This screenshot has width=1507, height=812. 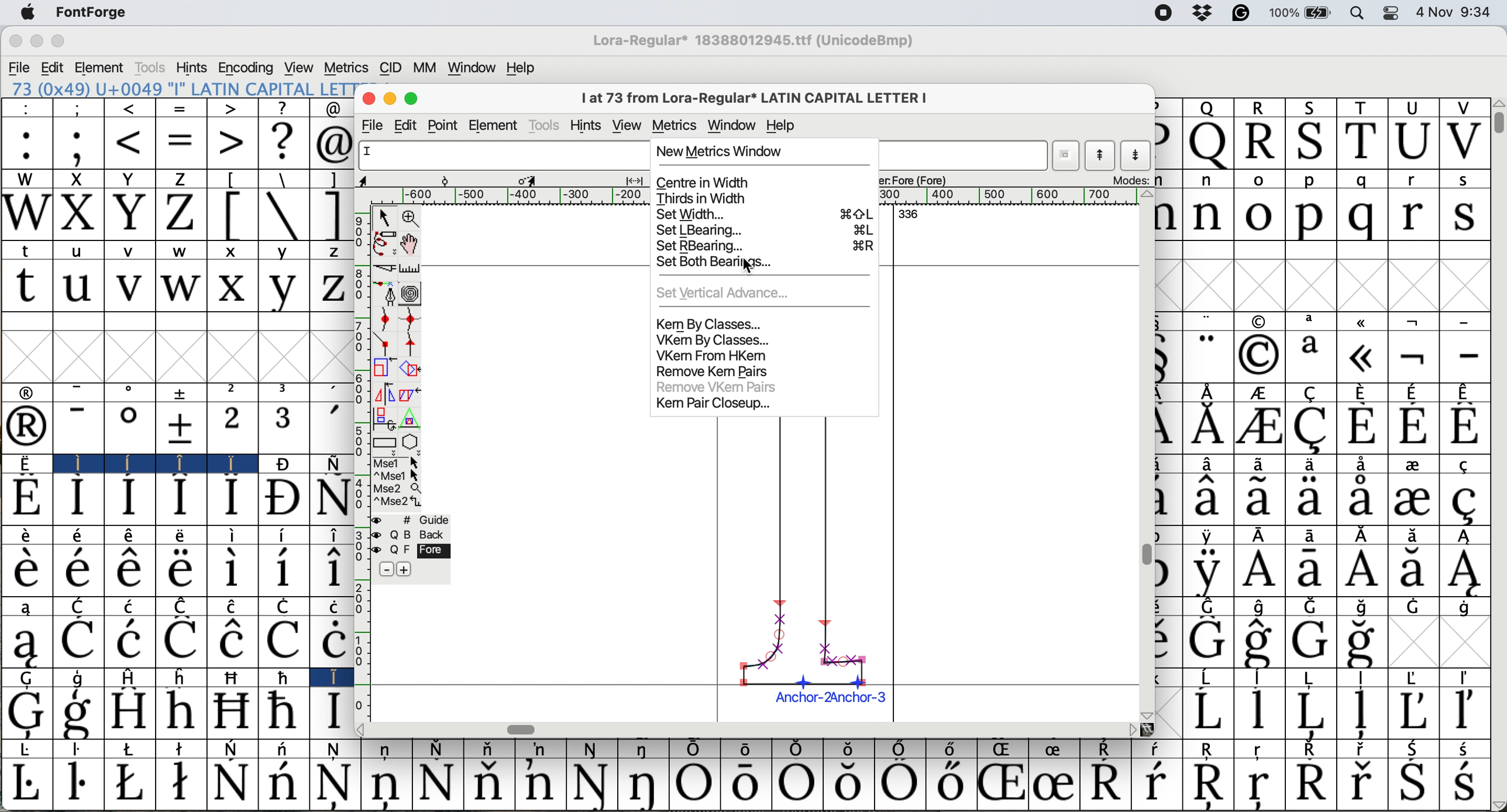 What do you see at coordinates (1465, 712) in the screenshot?
I see `Symbol` at bounding box center [1465, 712].